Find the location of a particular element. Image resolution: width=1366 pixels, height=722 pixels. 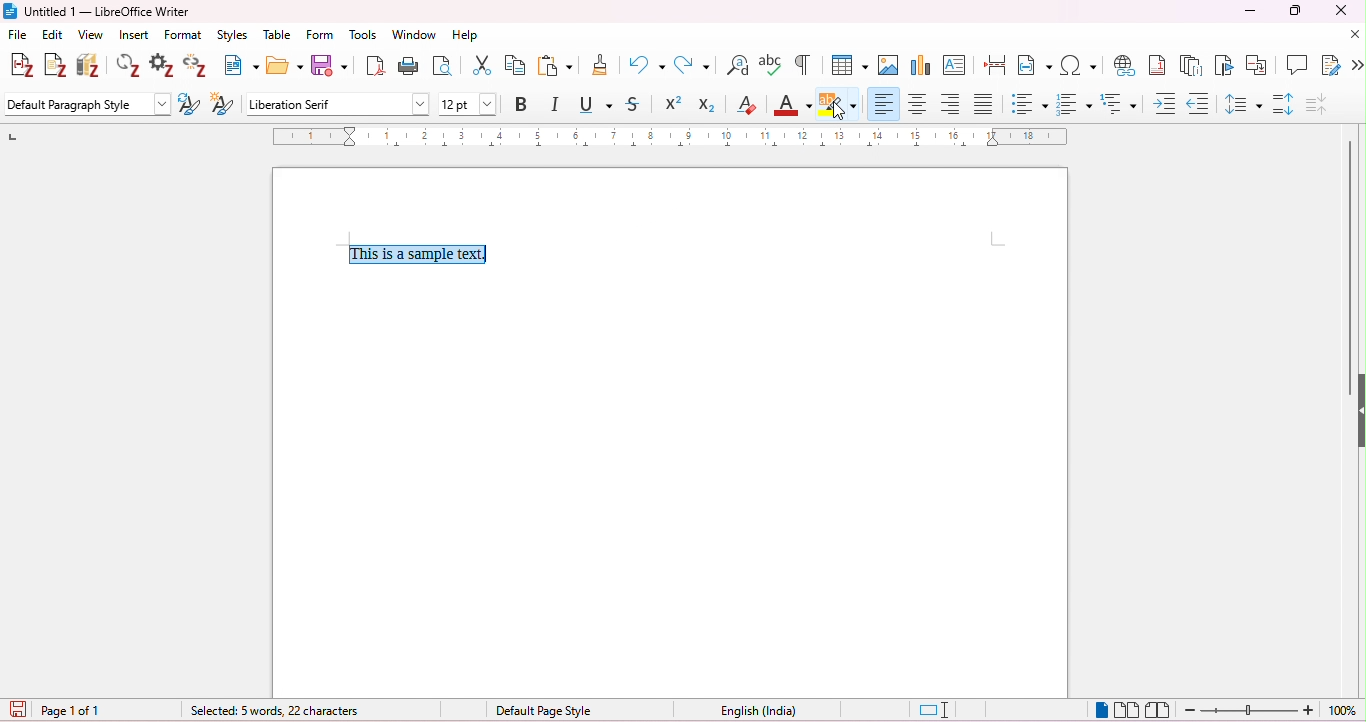

highlight text in yellow is located at coordinates (838, 105).